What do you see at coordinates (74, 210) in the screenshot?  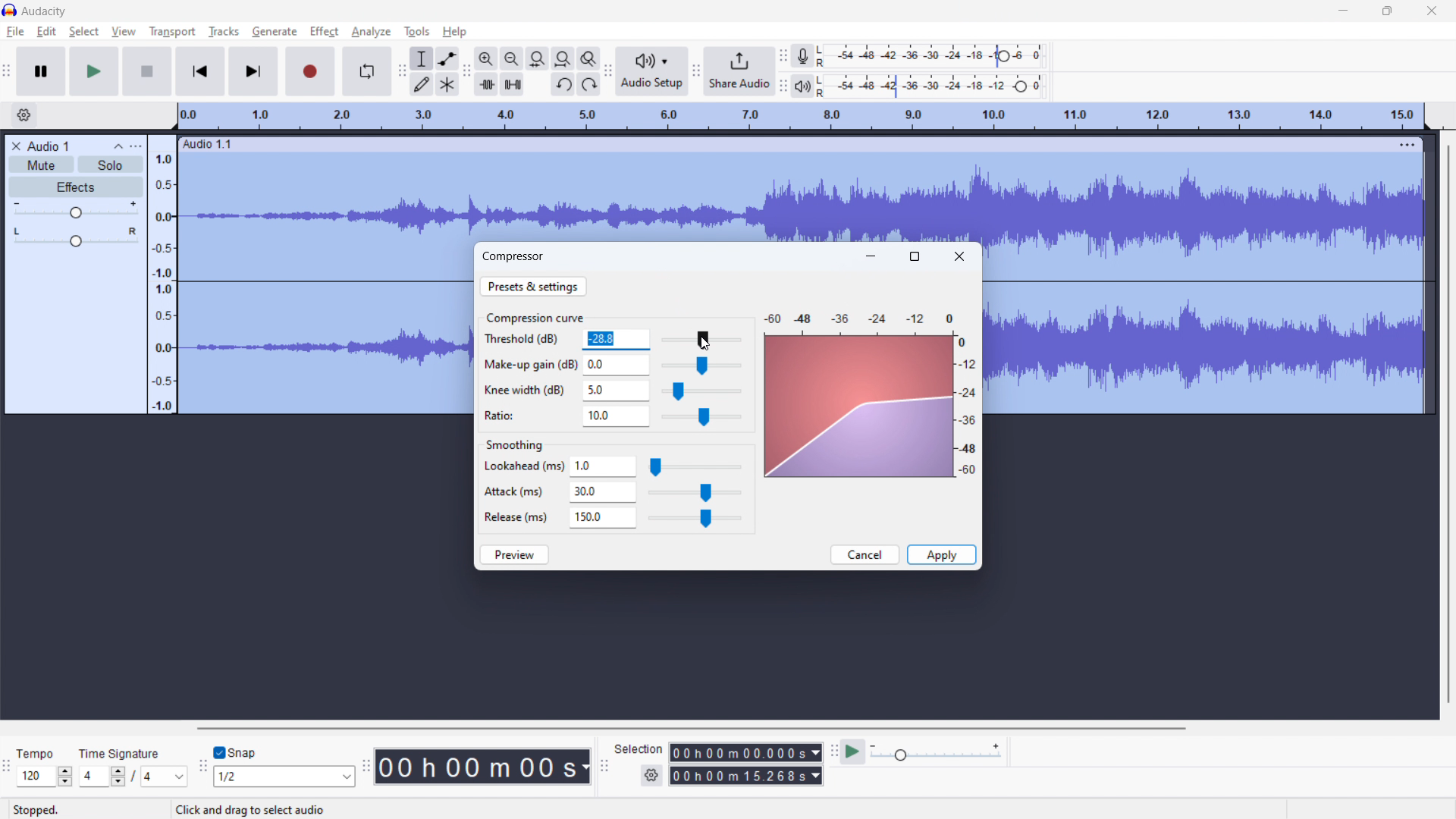 I see `volume` at bounding box center [74, 210].